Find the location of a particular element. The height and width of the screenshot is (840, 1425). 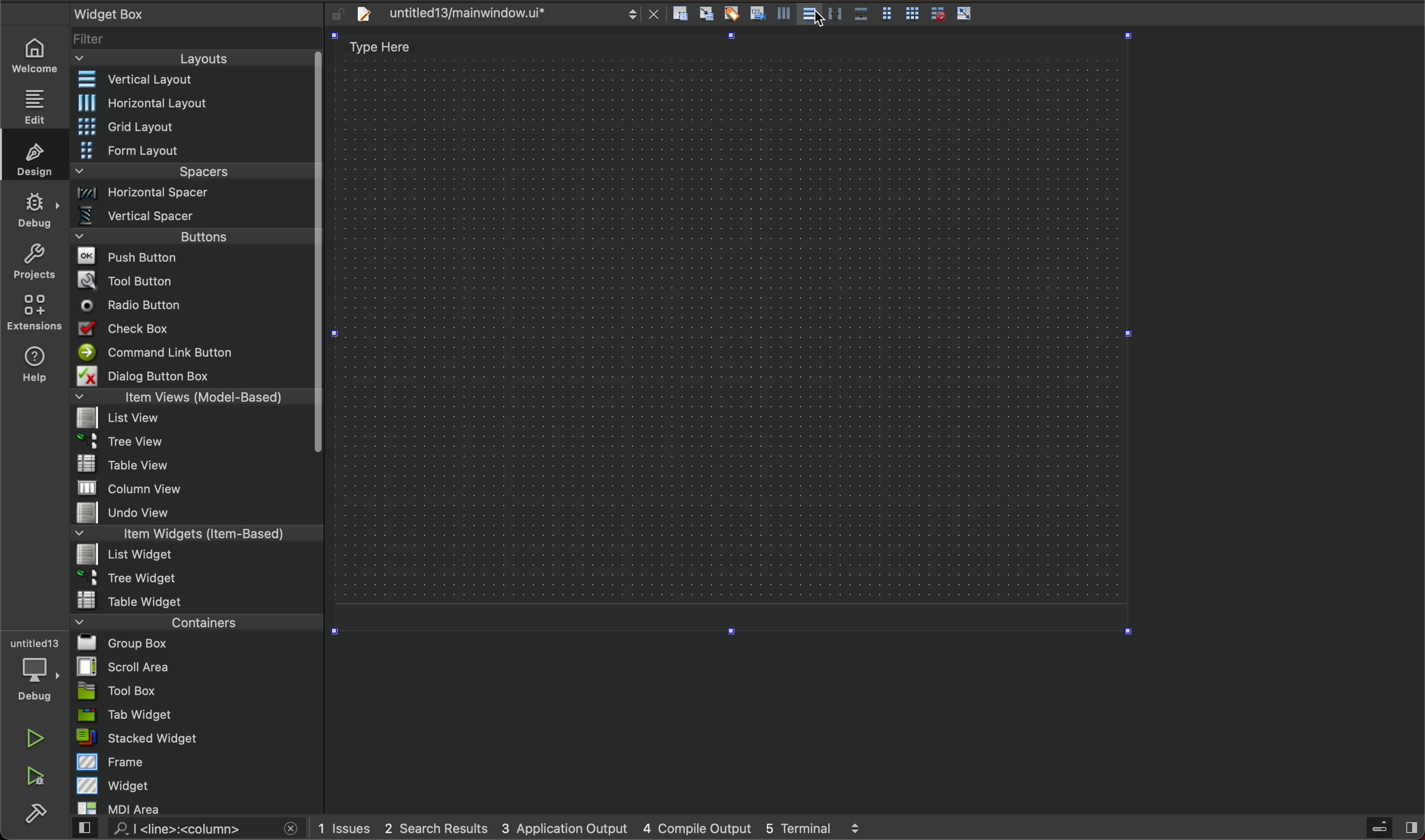

form layout is located at coordinates (888, 11).